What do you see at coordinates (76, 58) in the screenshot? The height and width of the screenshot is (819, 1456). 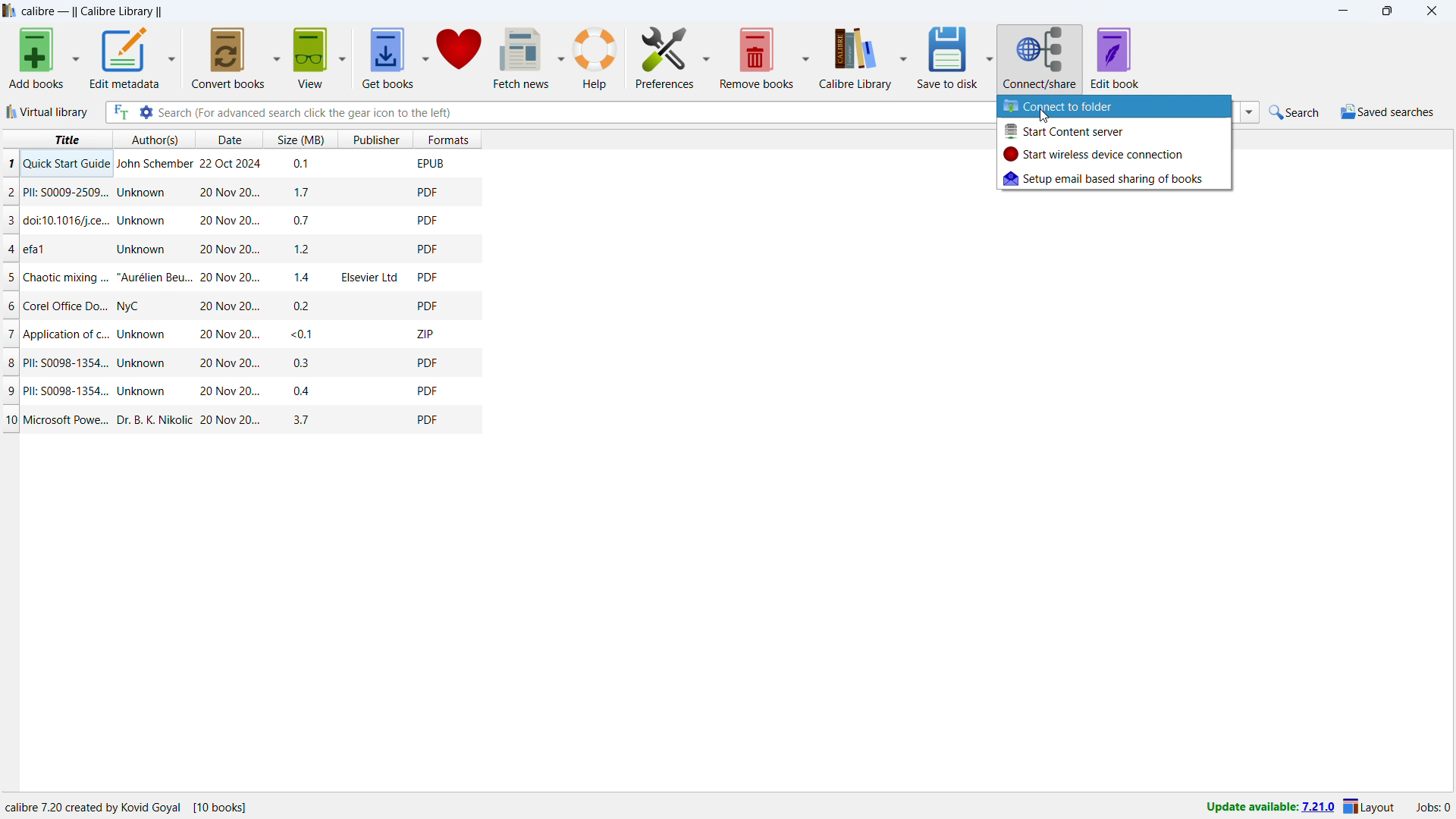 I see `add books options` at bounding box center [76, 58].